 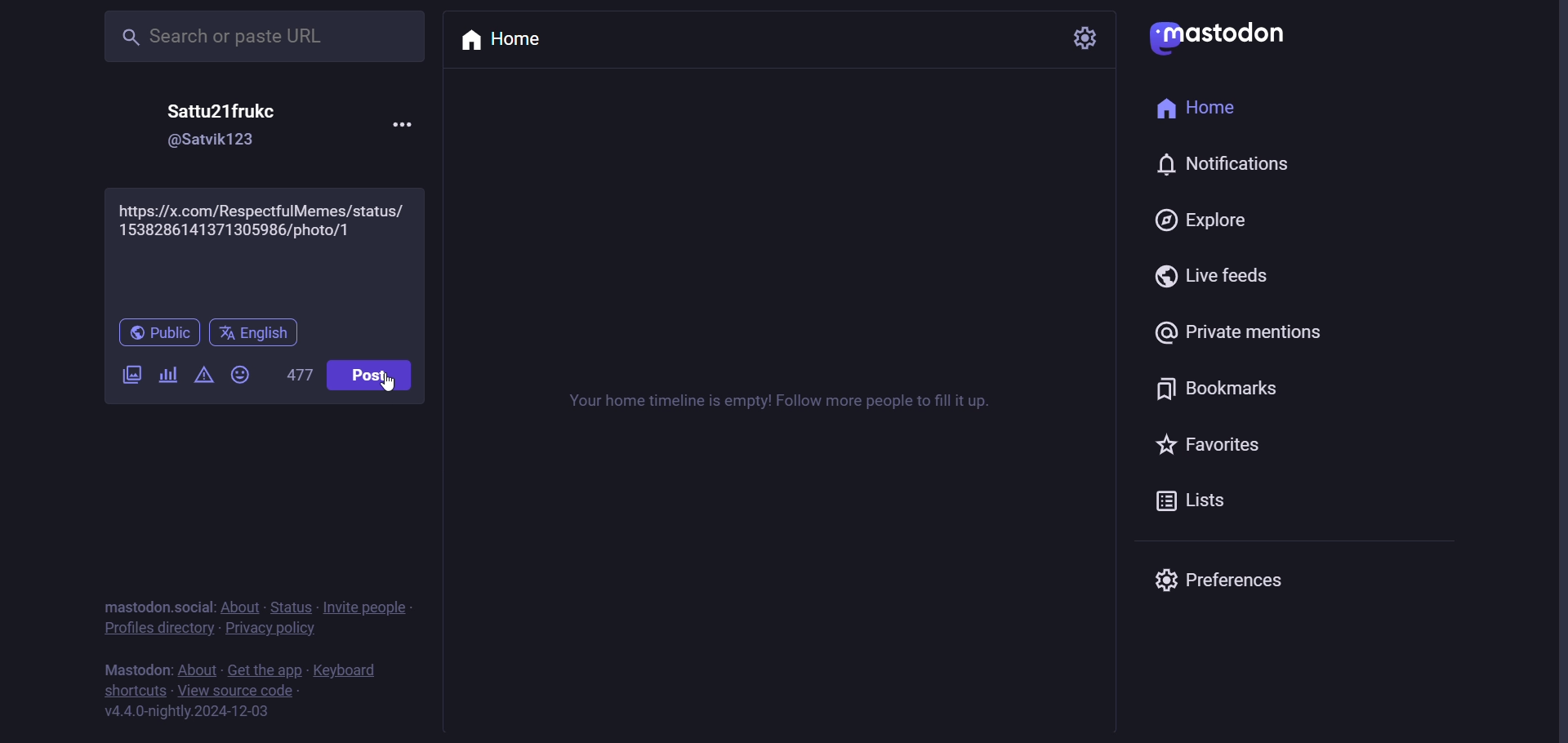 What do you see at coordinates (195, 606) in the screenshot?
I see `social` at bounding box center [195, 606].